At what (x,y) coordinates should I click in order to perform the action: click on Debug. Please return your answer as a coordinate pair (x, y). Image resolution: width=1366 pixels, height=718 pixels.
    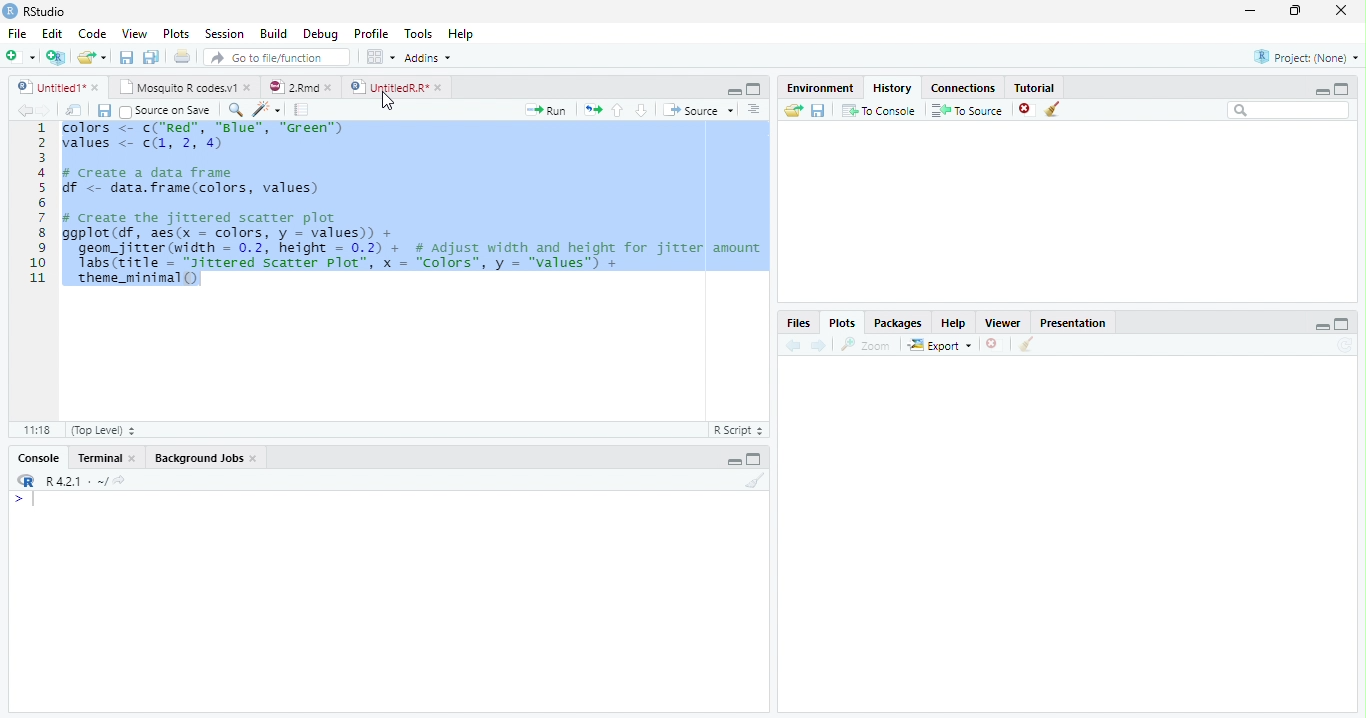
    Looking at the image, I should click on (320, 34).